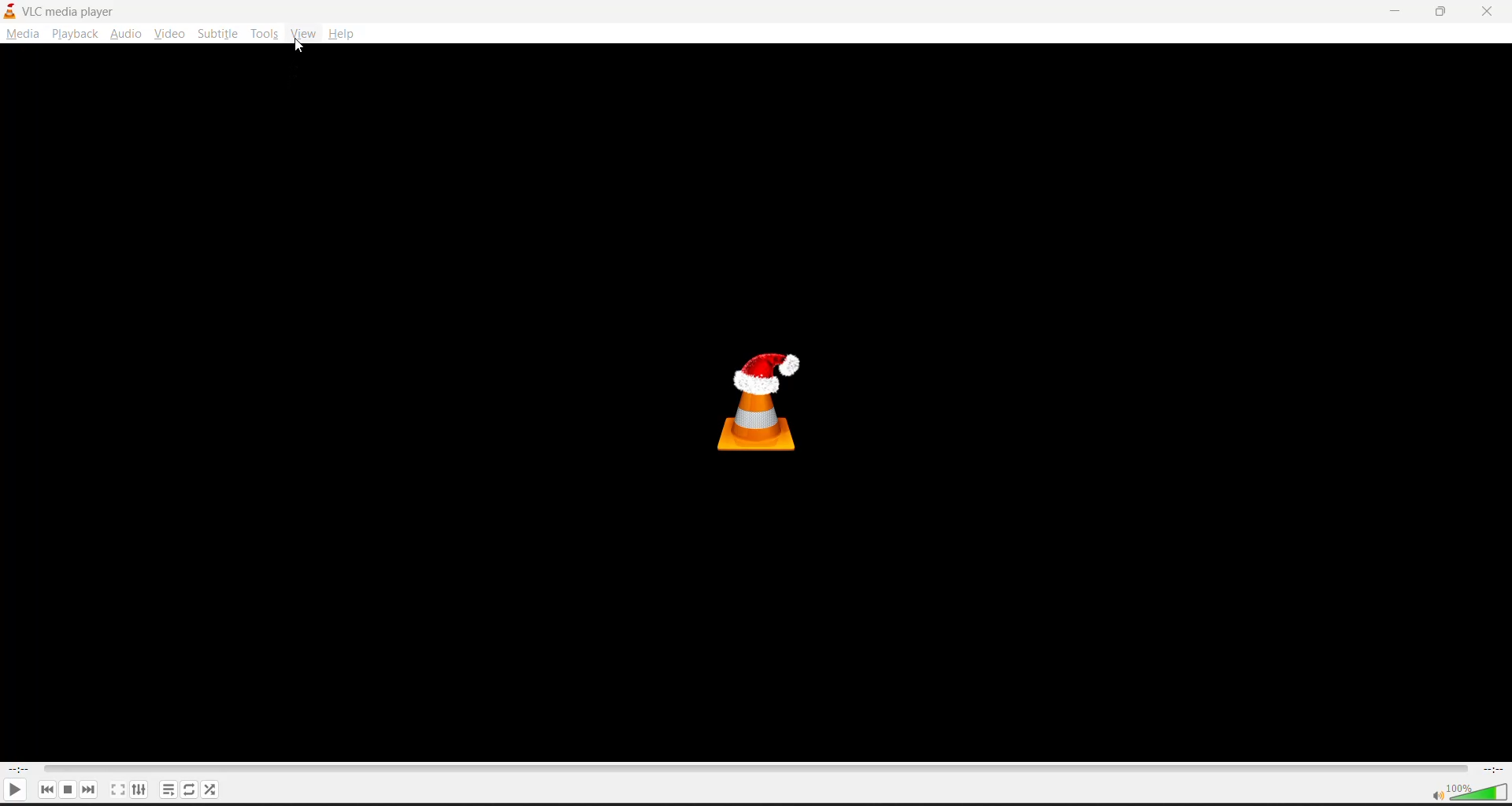 This screenshot has width=1512, height=806. Describe the element at coordinates (89, 790) in the screenshot. I see `next` at that location.